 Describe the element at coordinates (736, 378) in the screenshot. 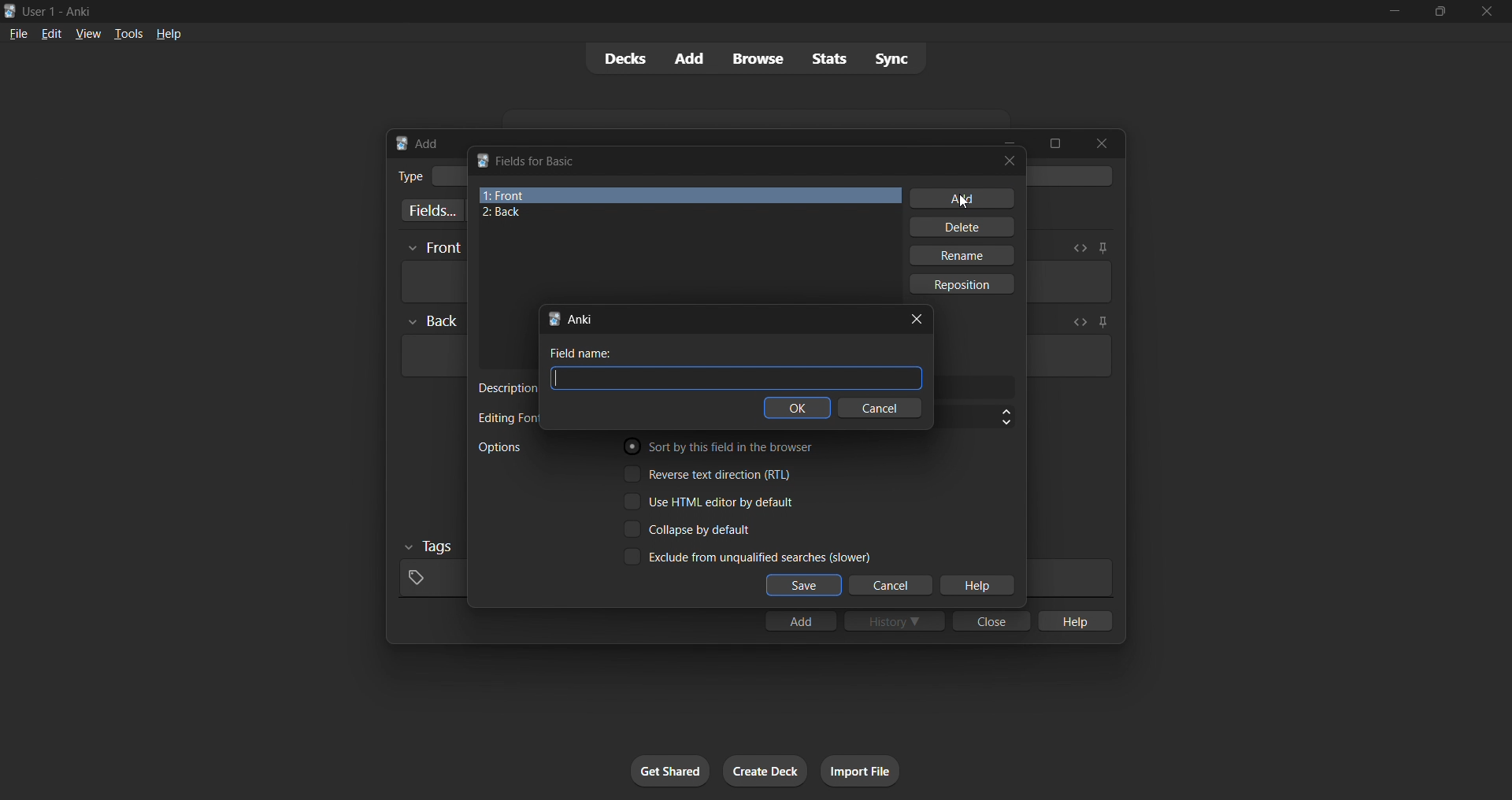

I see `field name input box` at that location.